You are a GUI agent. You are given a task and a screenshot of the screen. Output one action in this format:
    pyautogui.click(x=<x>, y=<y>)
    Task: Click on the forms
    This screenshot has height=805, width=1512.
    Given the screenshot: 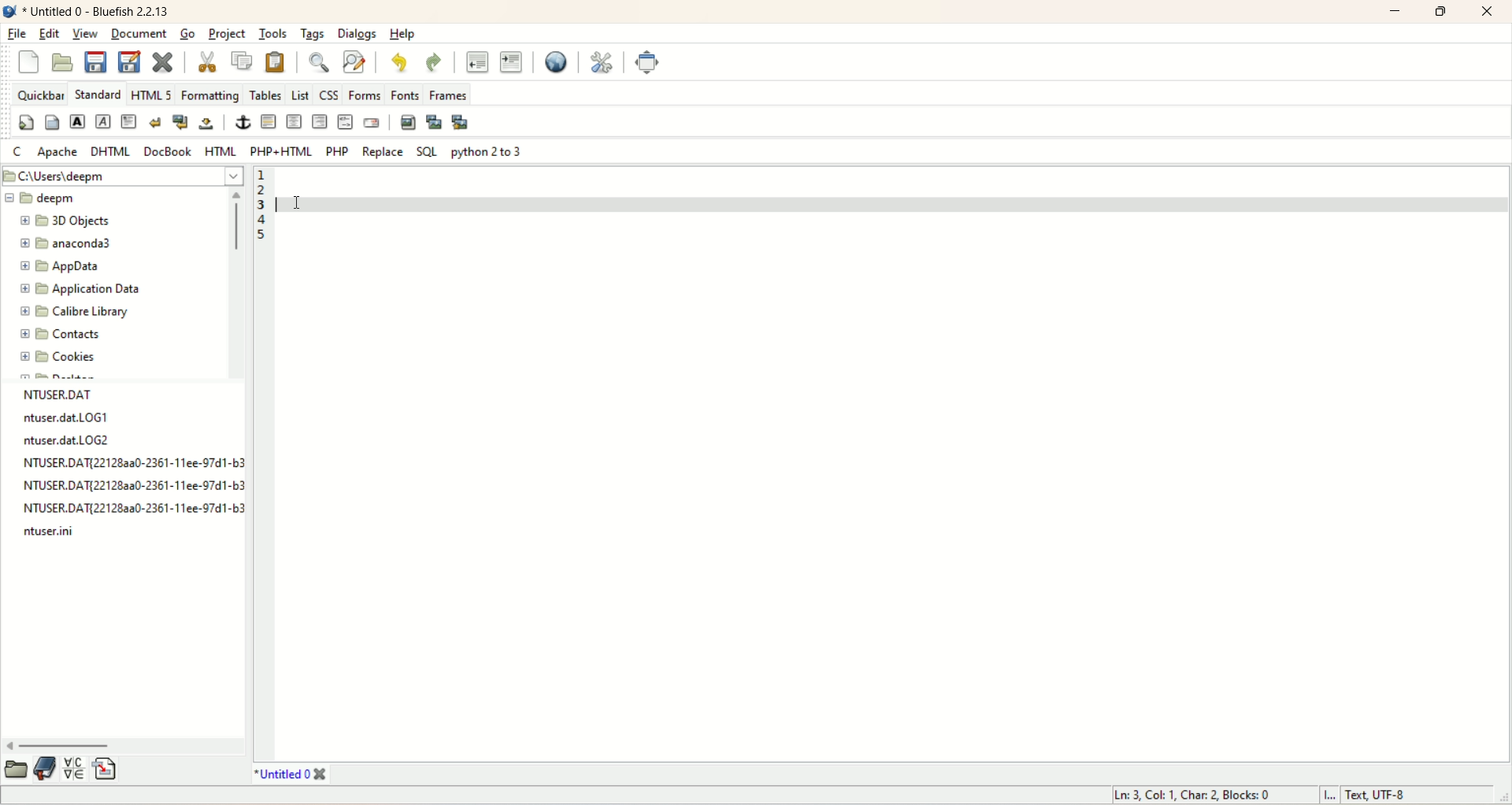 What is the action you would take?
    pyautogui.click(x=364, y=95)
    